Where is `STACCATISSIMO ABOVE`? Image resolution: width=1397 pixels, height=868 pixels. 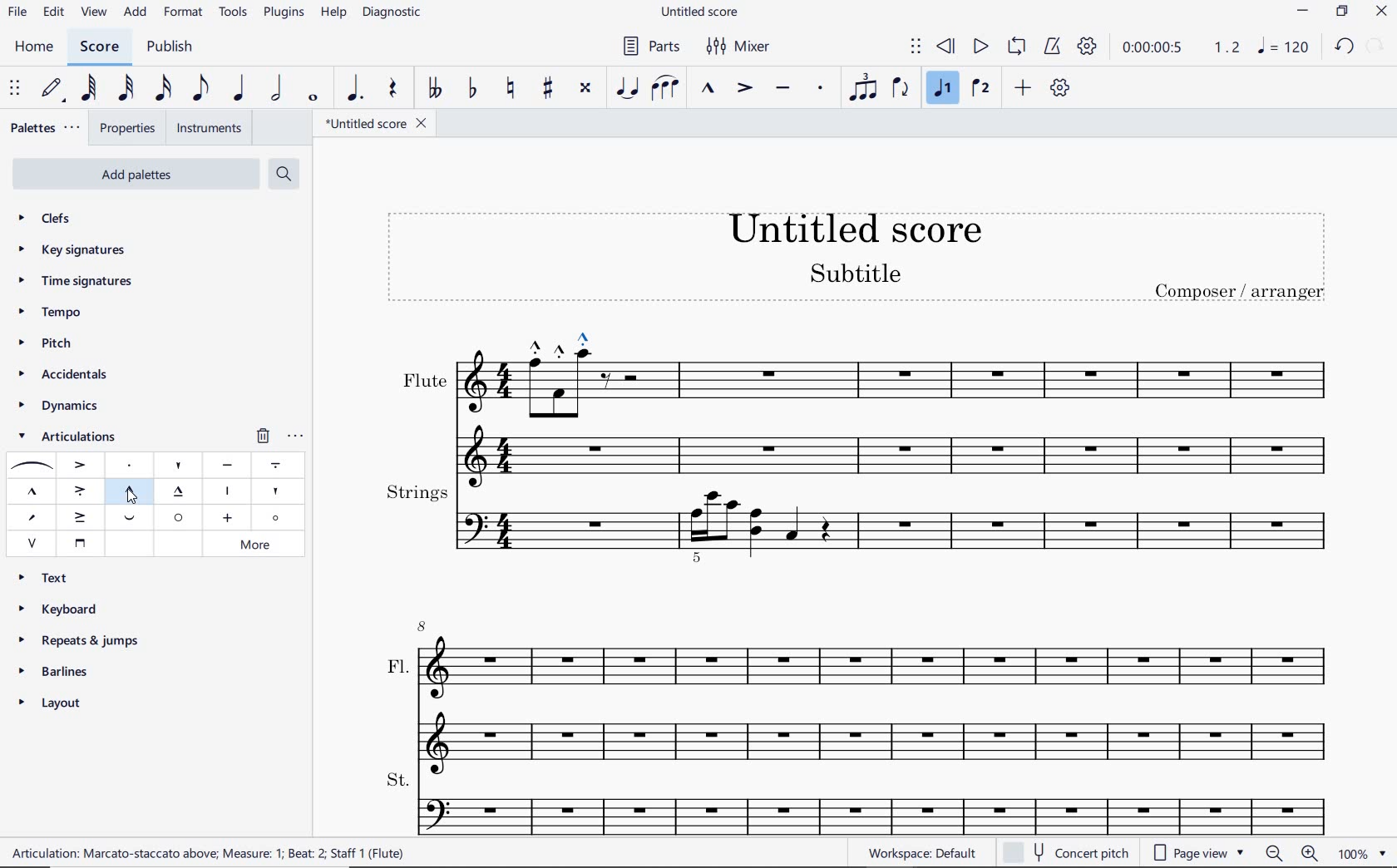
STACCATISSIMO ABOVE is located at coordinates (179, 463).